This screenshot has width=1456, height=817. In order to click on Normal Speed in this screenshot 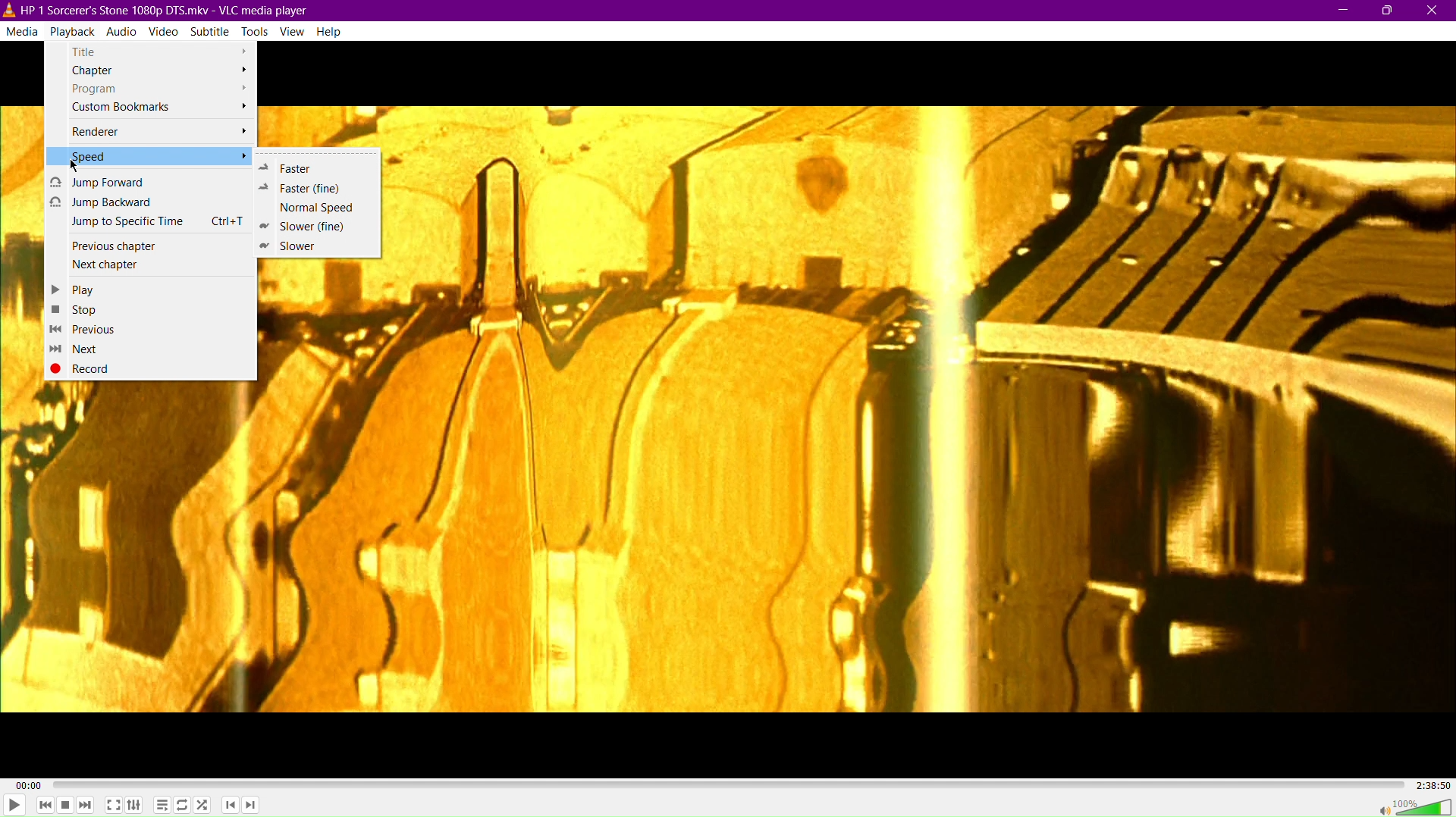, I will do `click(311, 207)`.